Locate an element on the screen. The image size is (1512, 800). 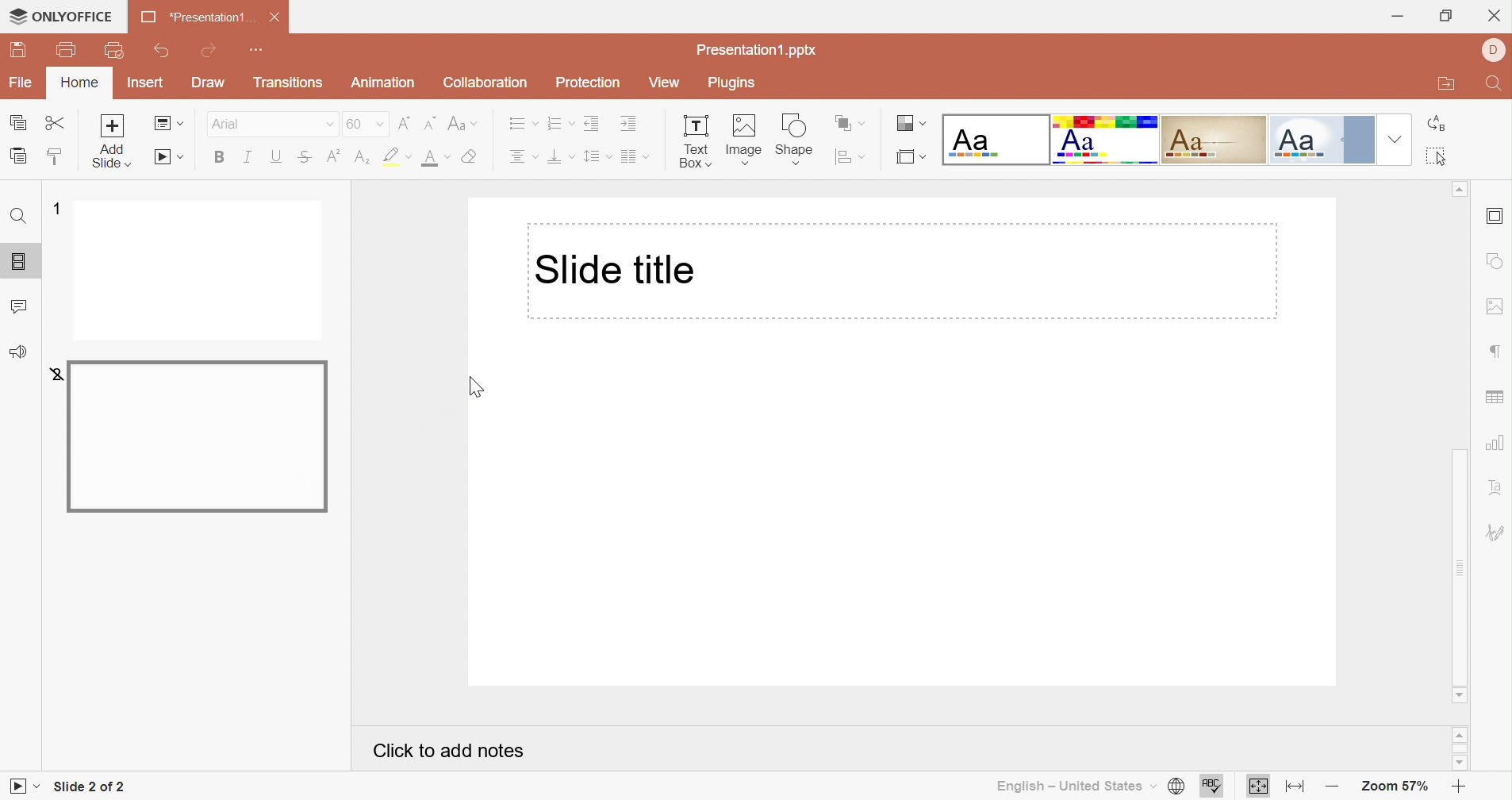
Numbering is located at coordinates (560, 125).